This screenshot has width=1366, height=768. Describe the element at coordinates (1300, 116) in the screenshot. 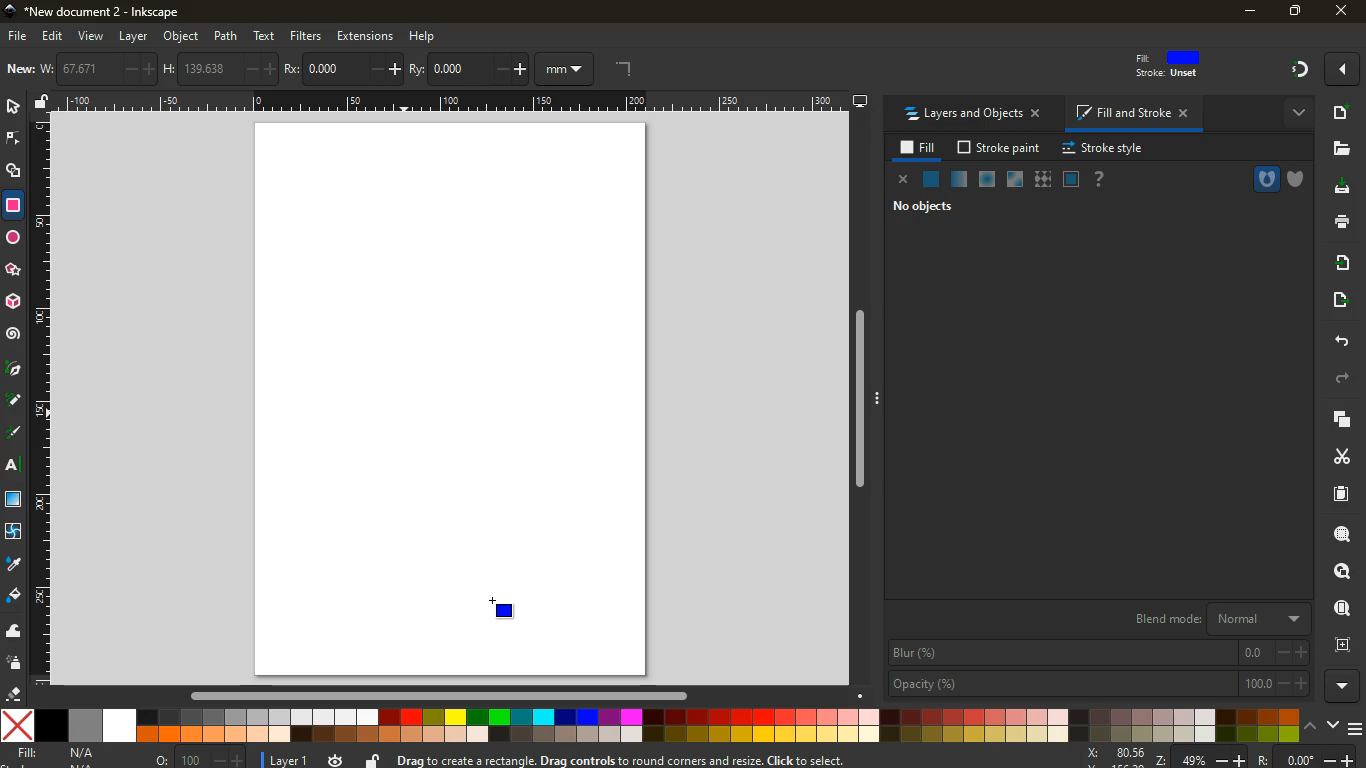

I see `more` at that location.